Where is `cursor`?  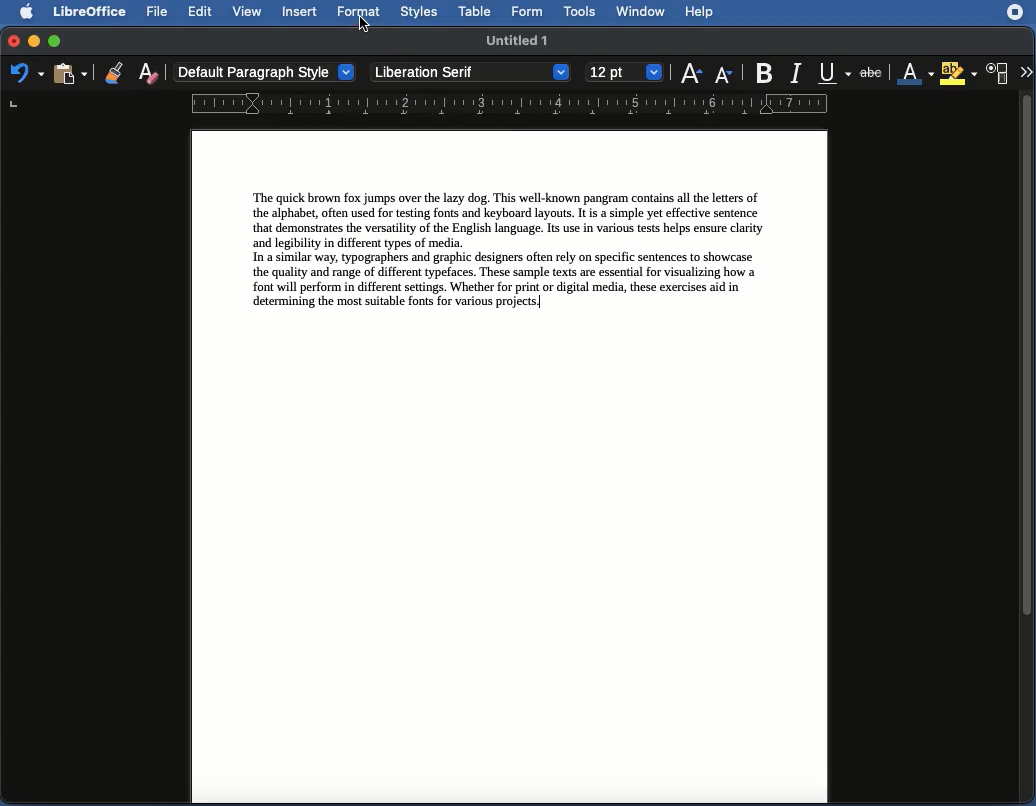 cursor is located at coordinates (365, 25).